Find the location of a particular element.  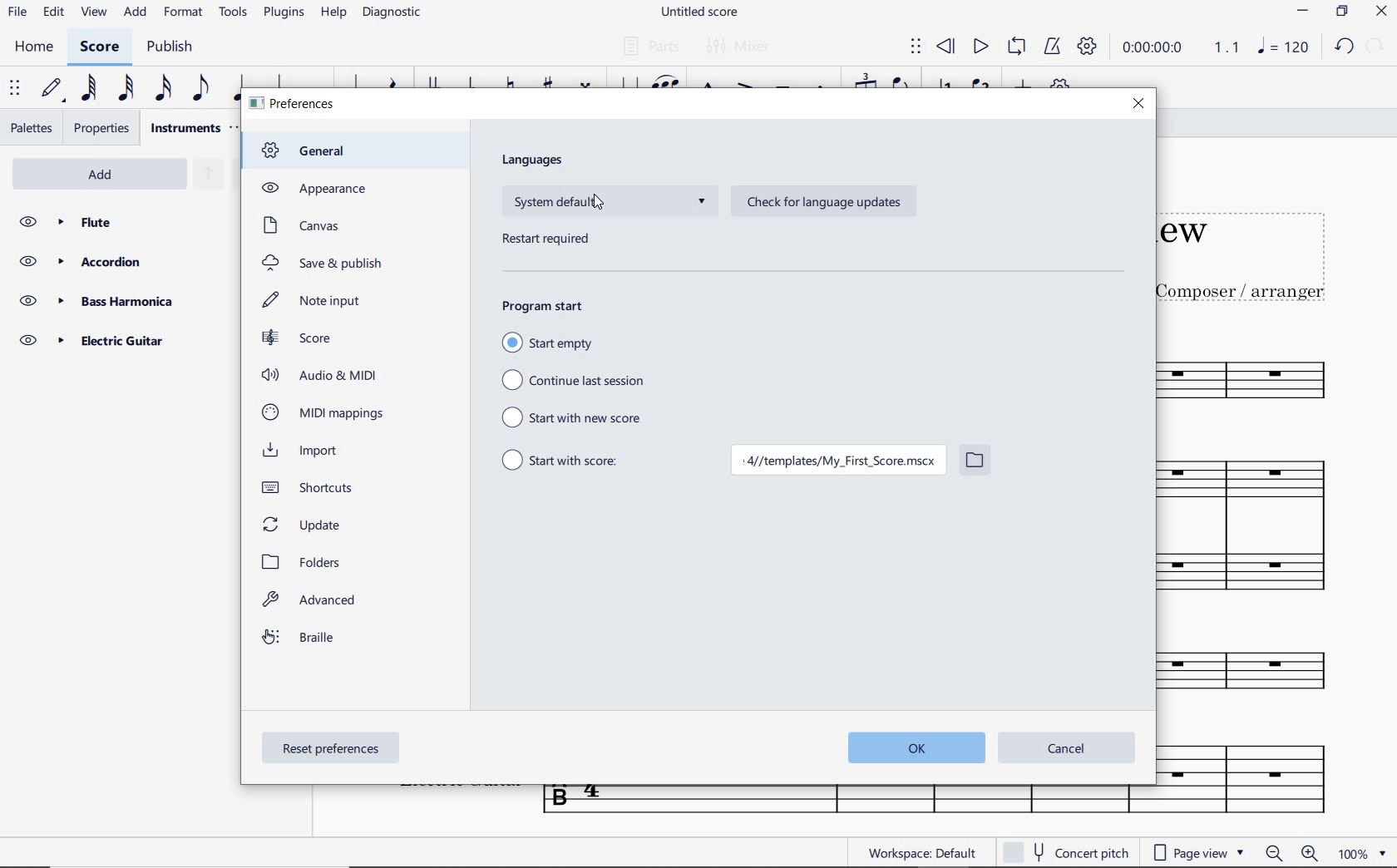

NOTE is located at coordinates (1284, 49).